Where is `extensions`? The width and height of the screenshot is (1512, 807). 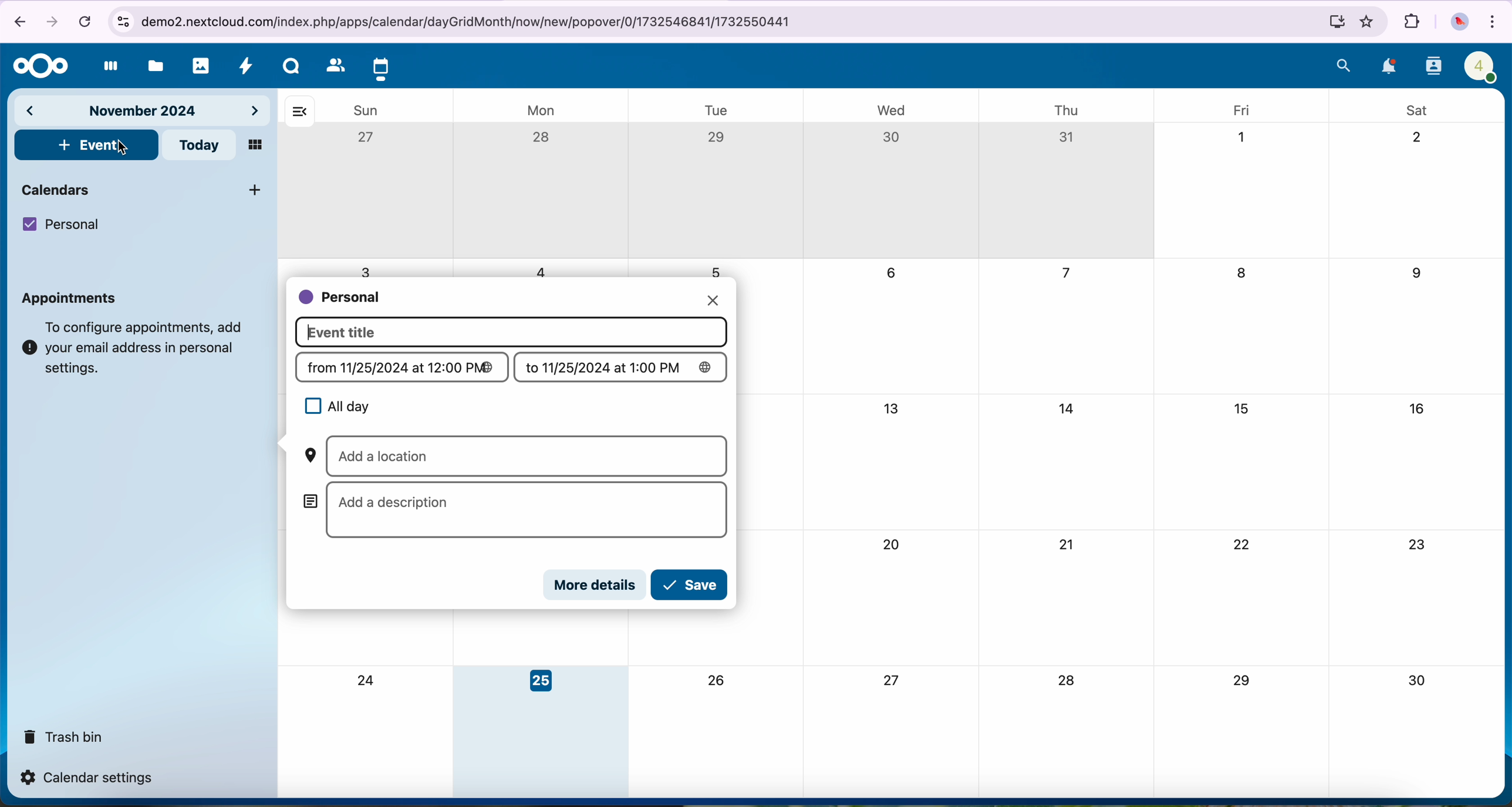
extensions is located at coordinates (1410, 22).